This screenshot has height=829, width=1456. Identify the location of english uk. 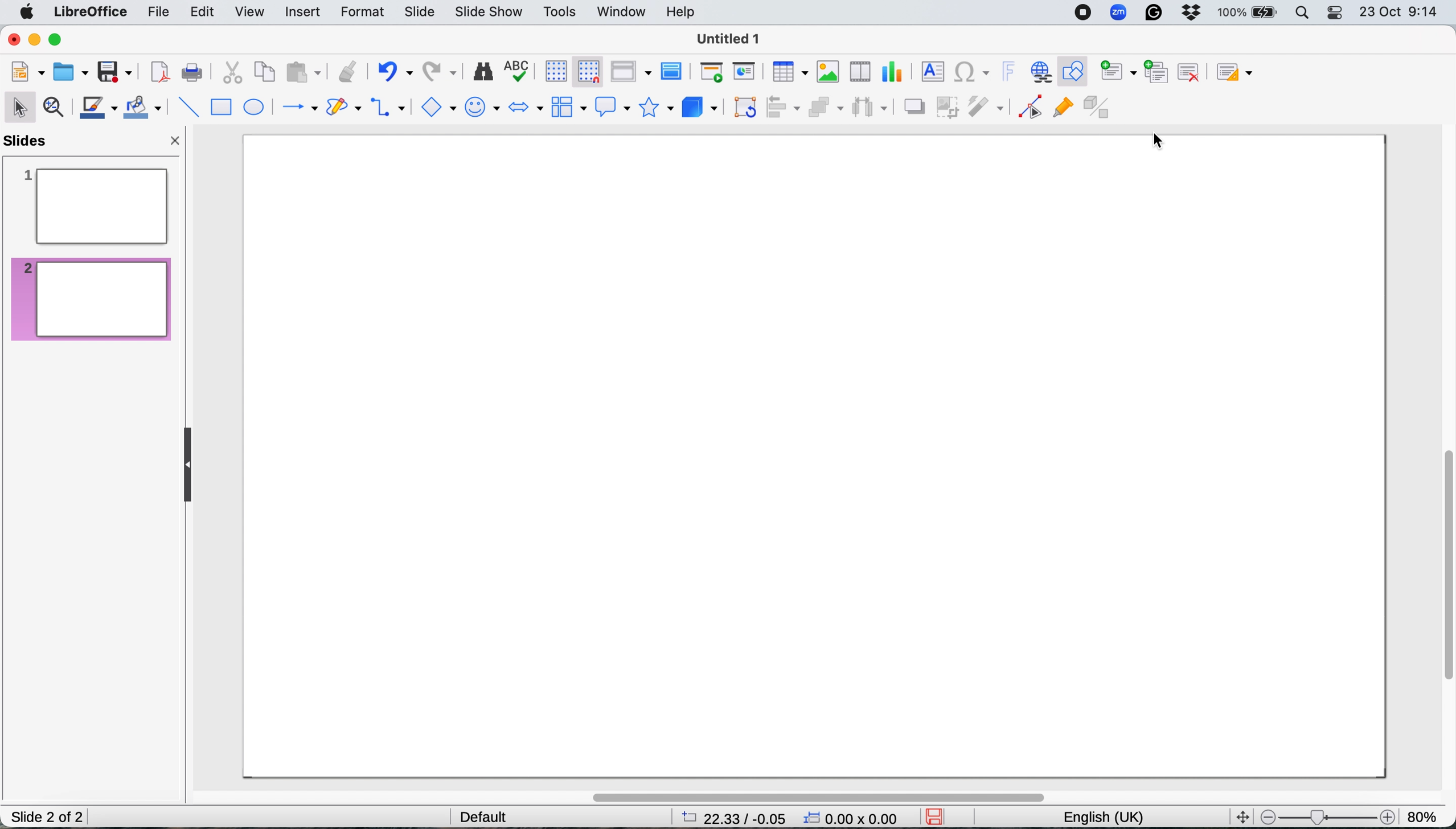
(1101, 816).